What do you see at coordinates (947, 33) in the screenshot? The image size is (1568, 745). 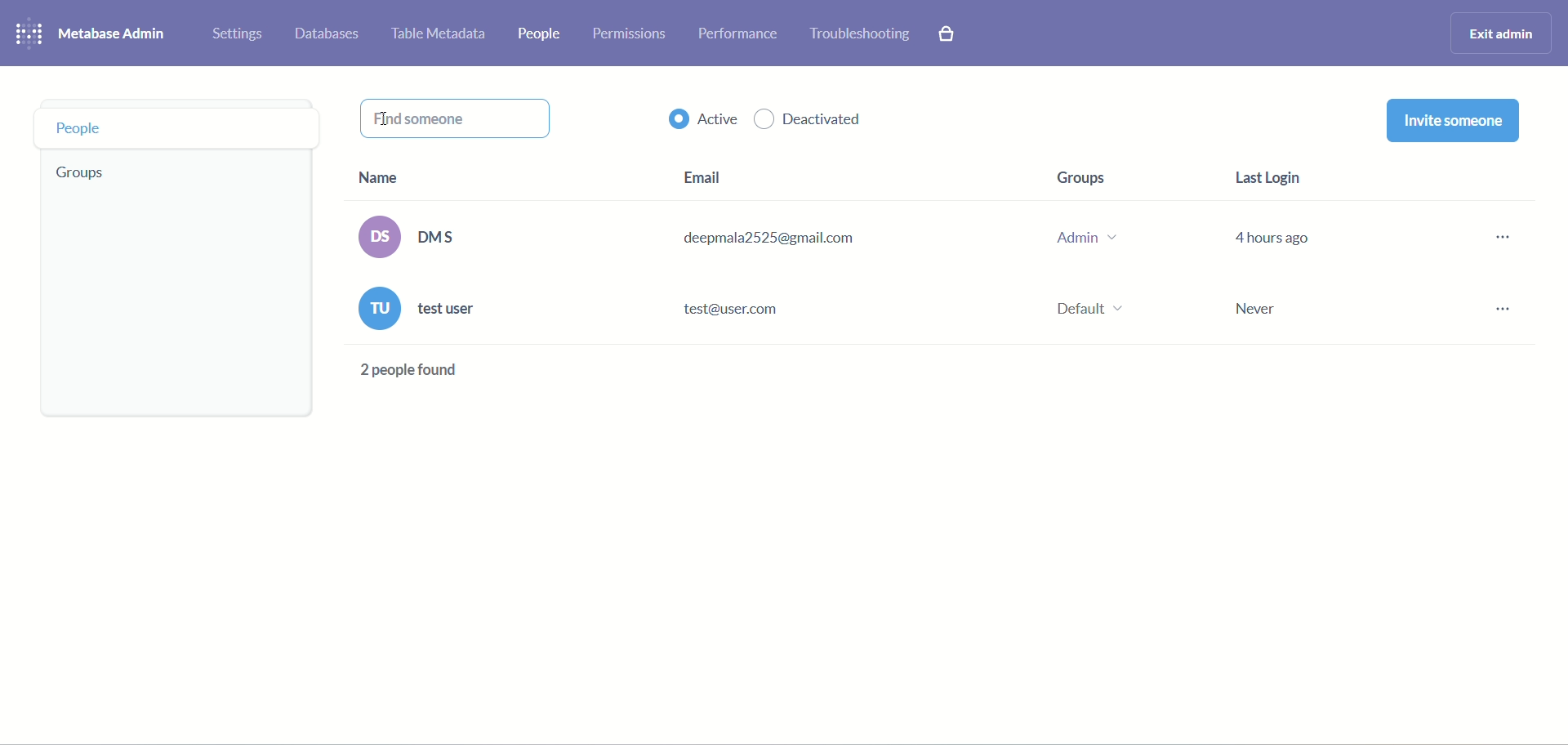 I see `paid features` at bounding box center [947, 33].